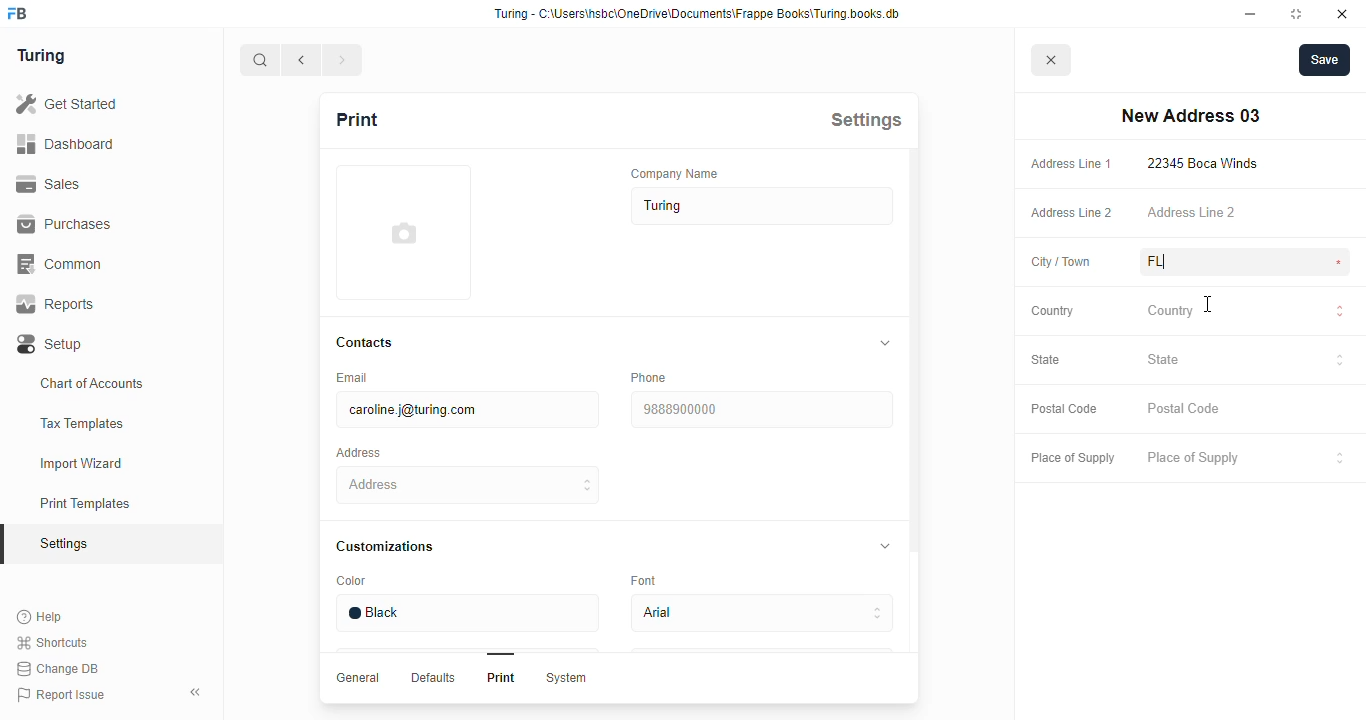  What do you see at coordinates (358, 677) in the screenshot?
I see `General` at bounding box center [358, 677].